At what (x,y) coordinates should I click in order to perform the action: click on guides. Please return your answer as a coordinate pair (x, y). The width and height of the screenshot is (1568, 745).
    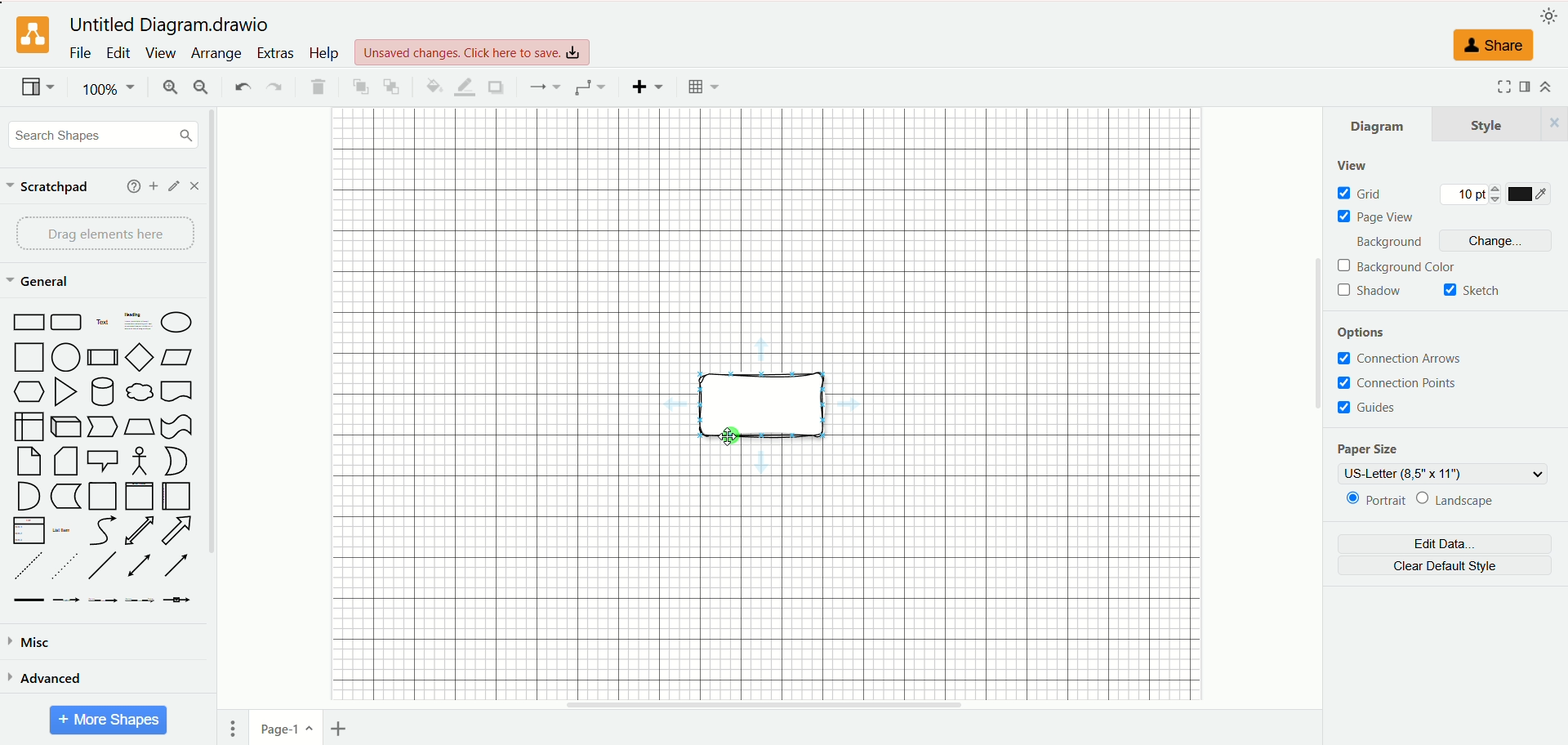
    Looking at the image, I should click on (1370, 408).